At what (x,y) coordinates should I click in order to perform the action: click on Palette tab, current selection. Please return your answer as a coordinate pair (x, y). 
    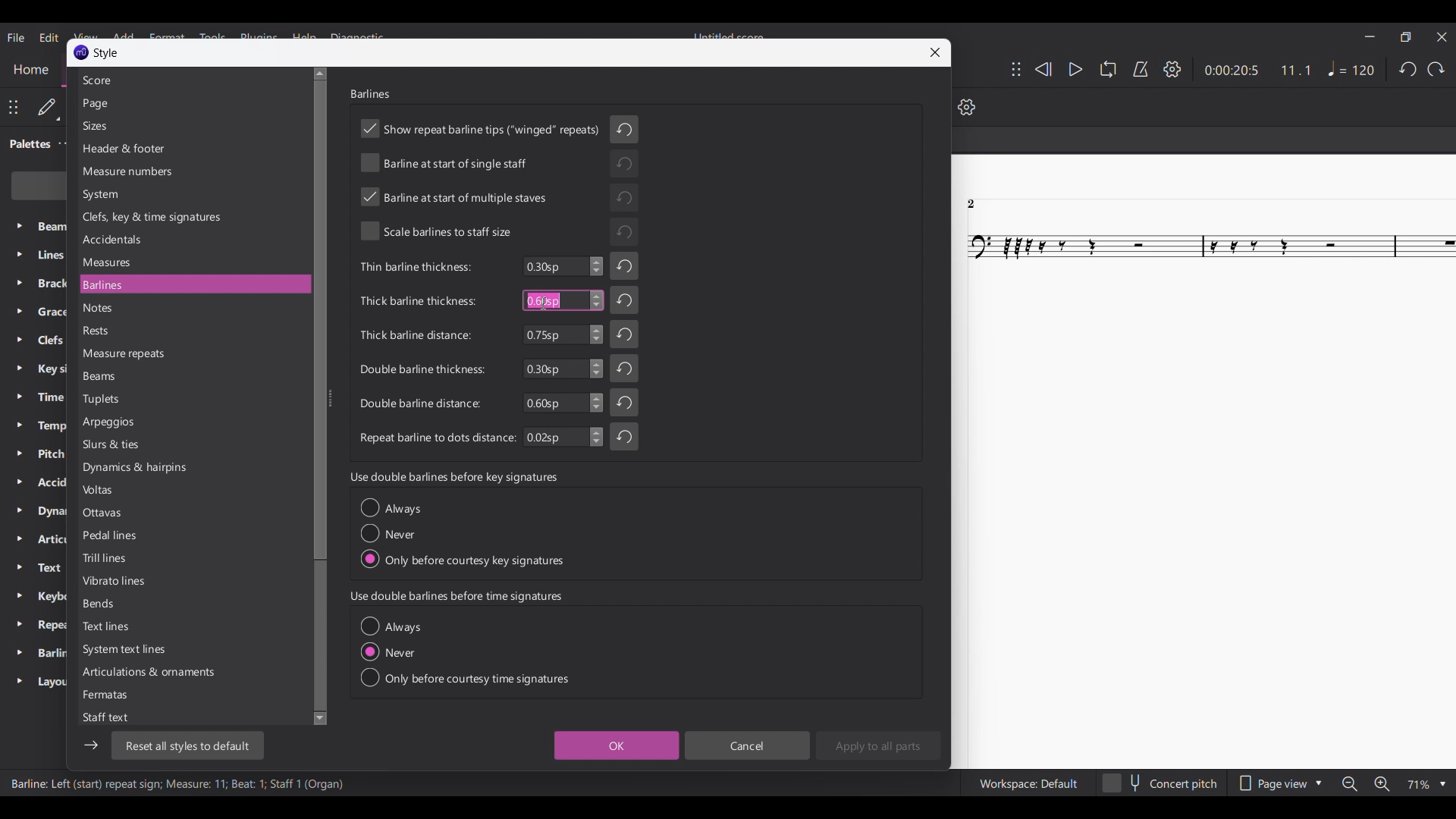
    Looking at the image, I should click on (27, 144).